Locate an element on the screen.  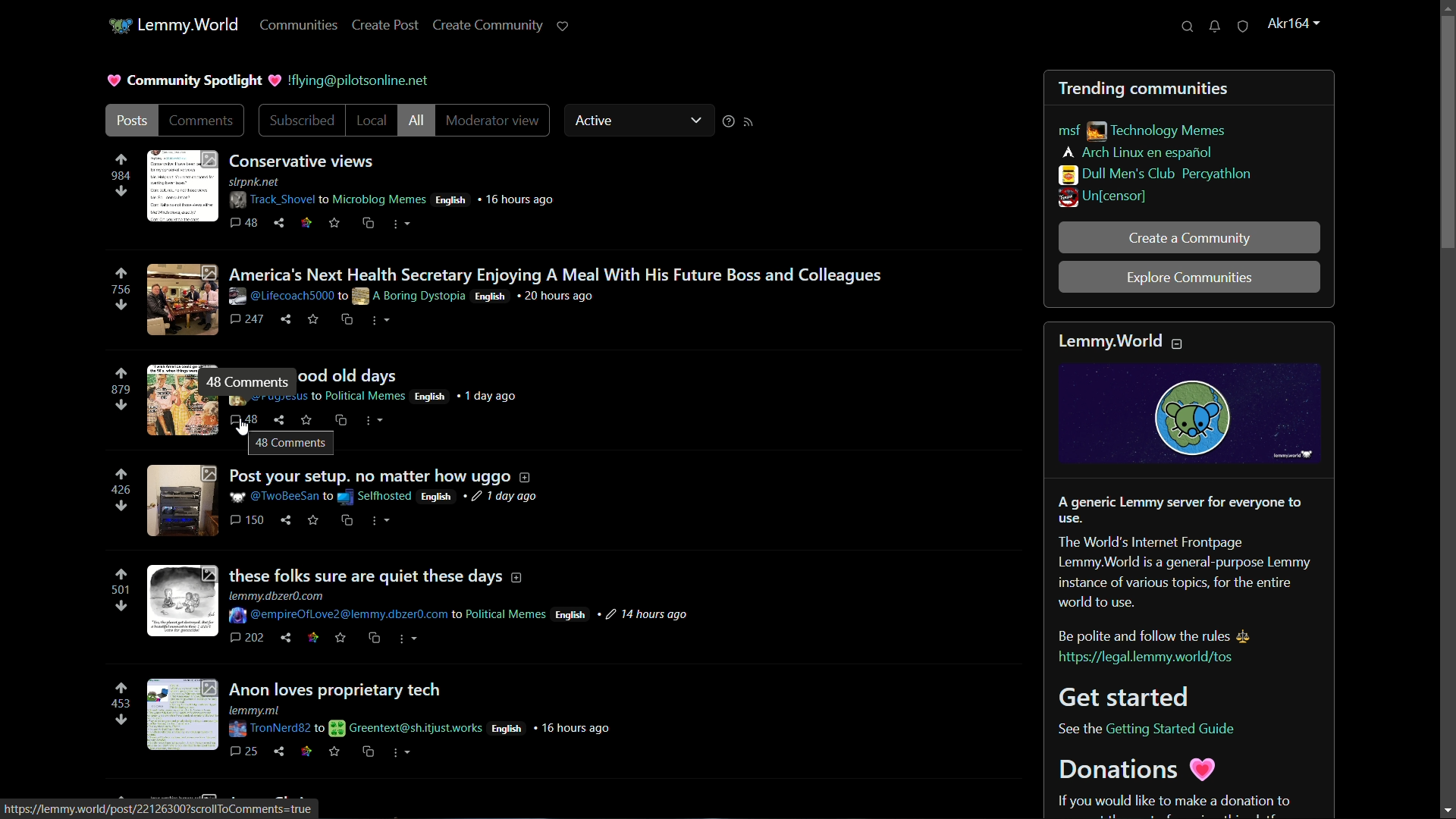
uncensor is located at coordinates (1102, 199).